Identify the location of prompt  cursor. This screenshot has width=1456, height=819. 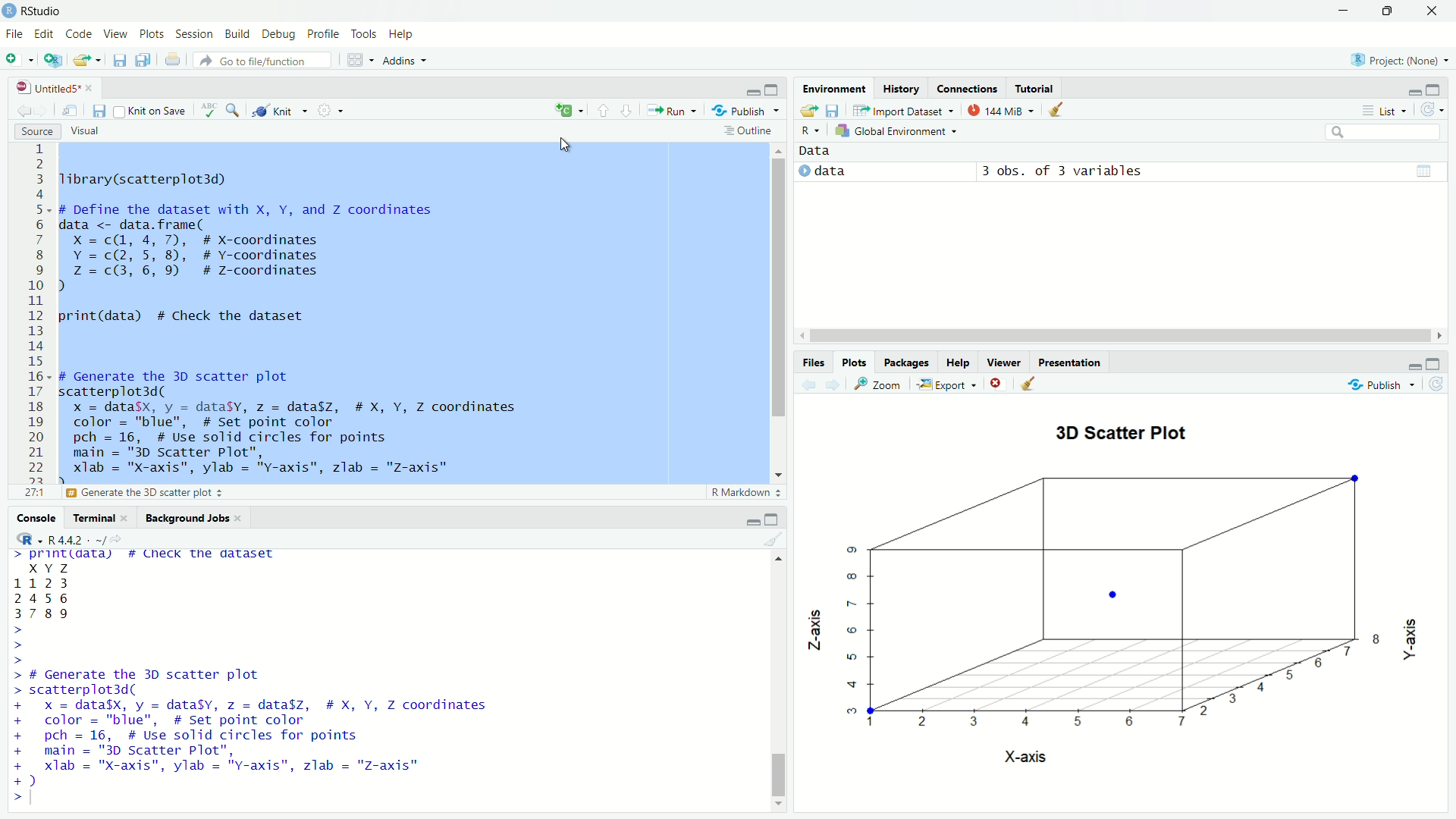
(12, 800).